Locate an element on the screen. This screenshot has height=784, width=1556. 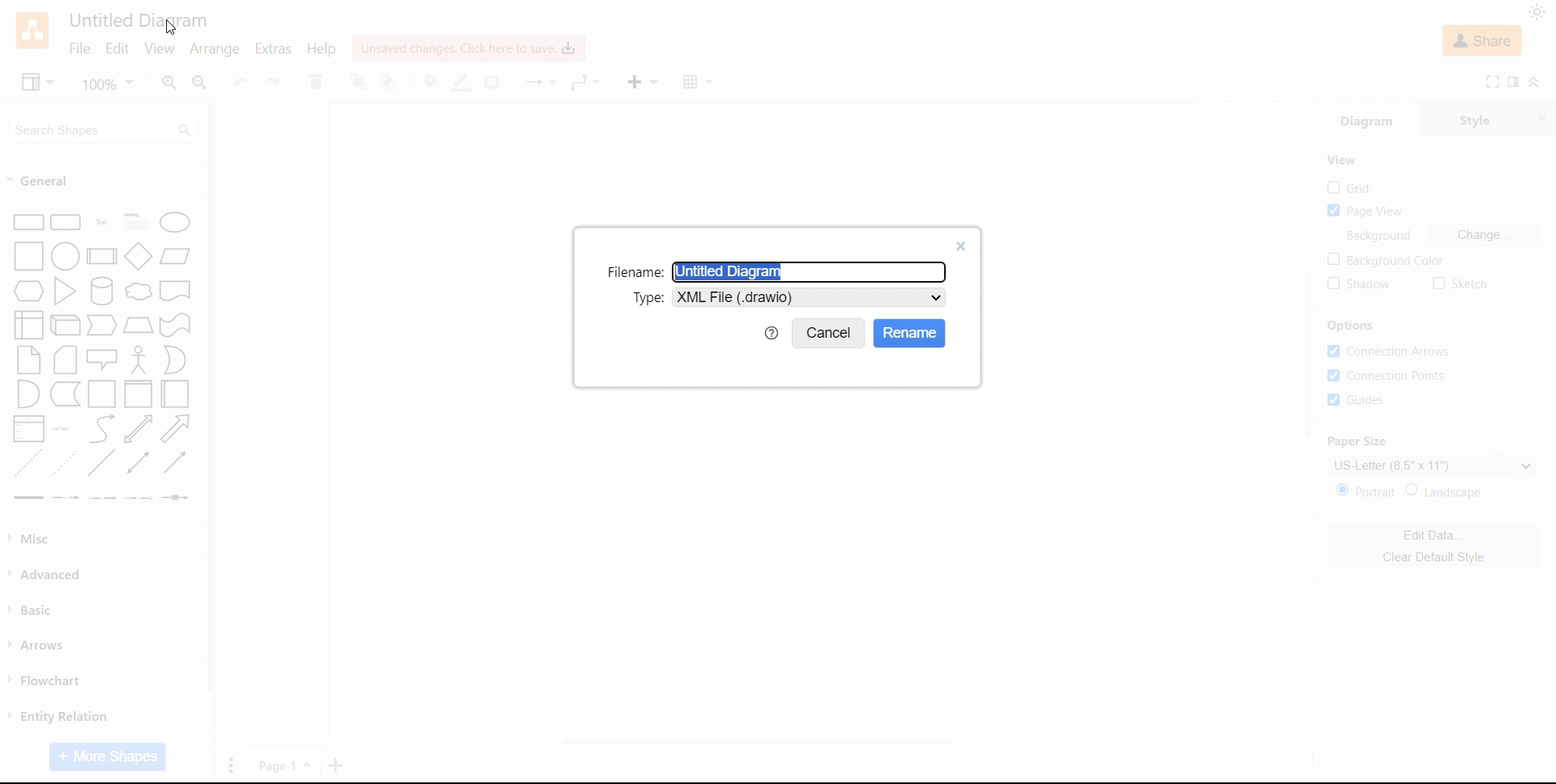
Close dialogue box  is located at coordinates (962, 247).